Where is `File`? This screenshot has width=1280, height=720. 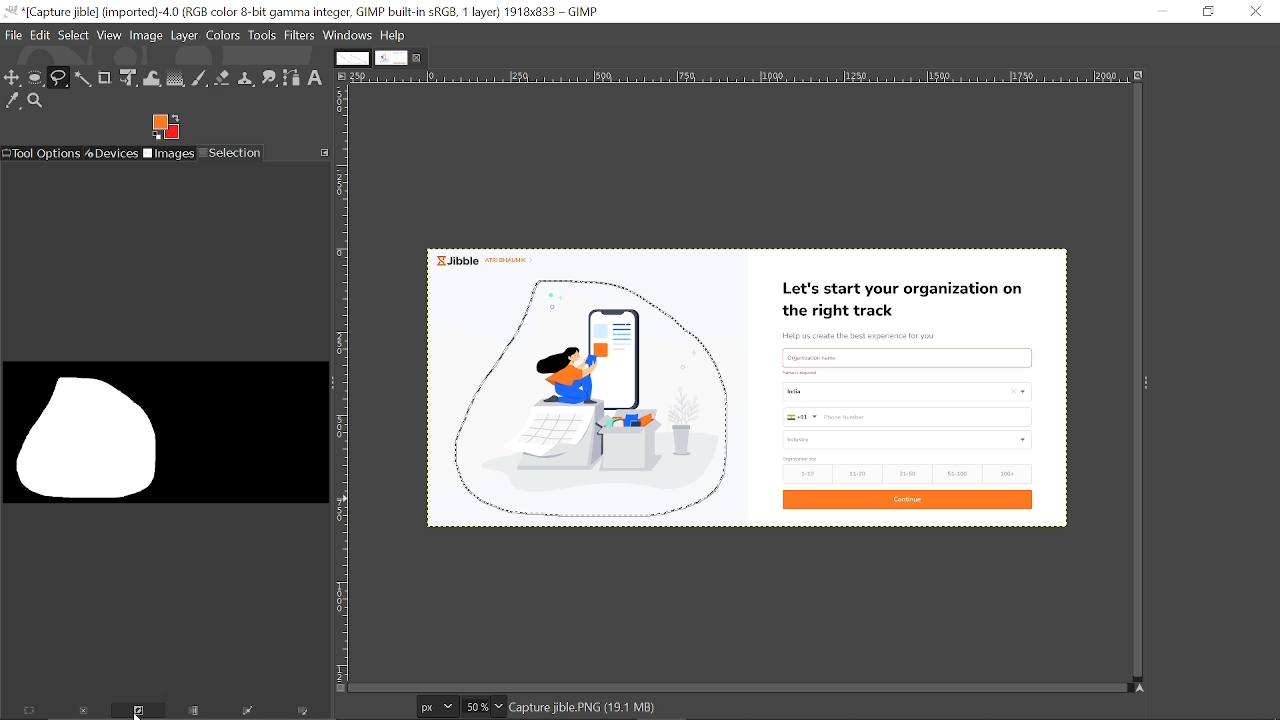 File is located at coordinates (14, 34).